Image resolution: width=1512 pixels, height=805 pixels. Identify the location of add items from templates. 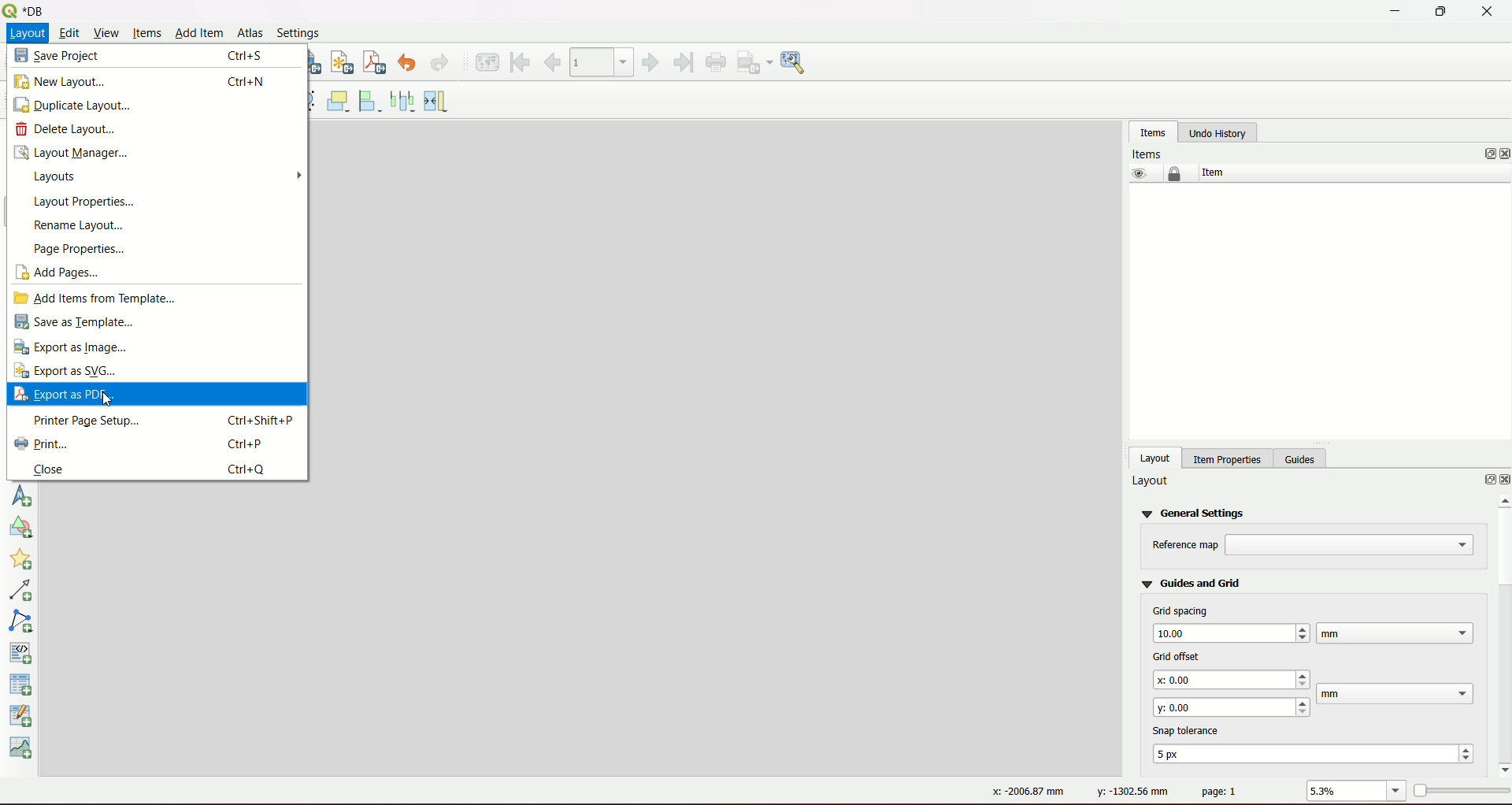
(94, 299).